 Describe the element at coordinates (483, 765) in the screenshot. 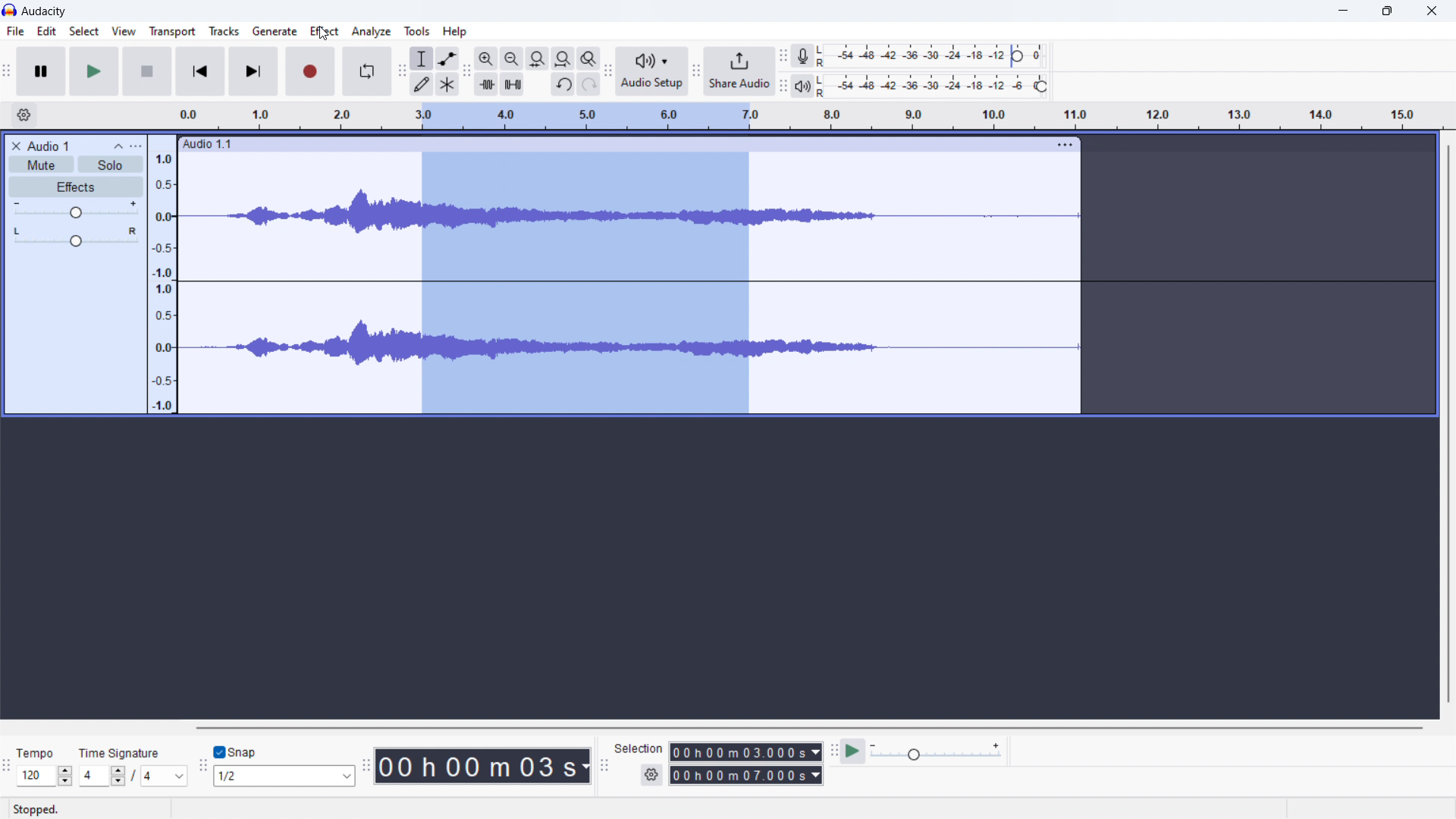

I see `00 h 00 m 03 s` at that location.